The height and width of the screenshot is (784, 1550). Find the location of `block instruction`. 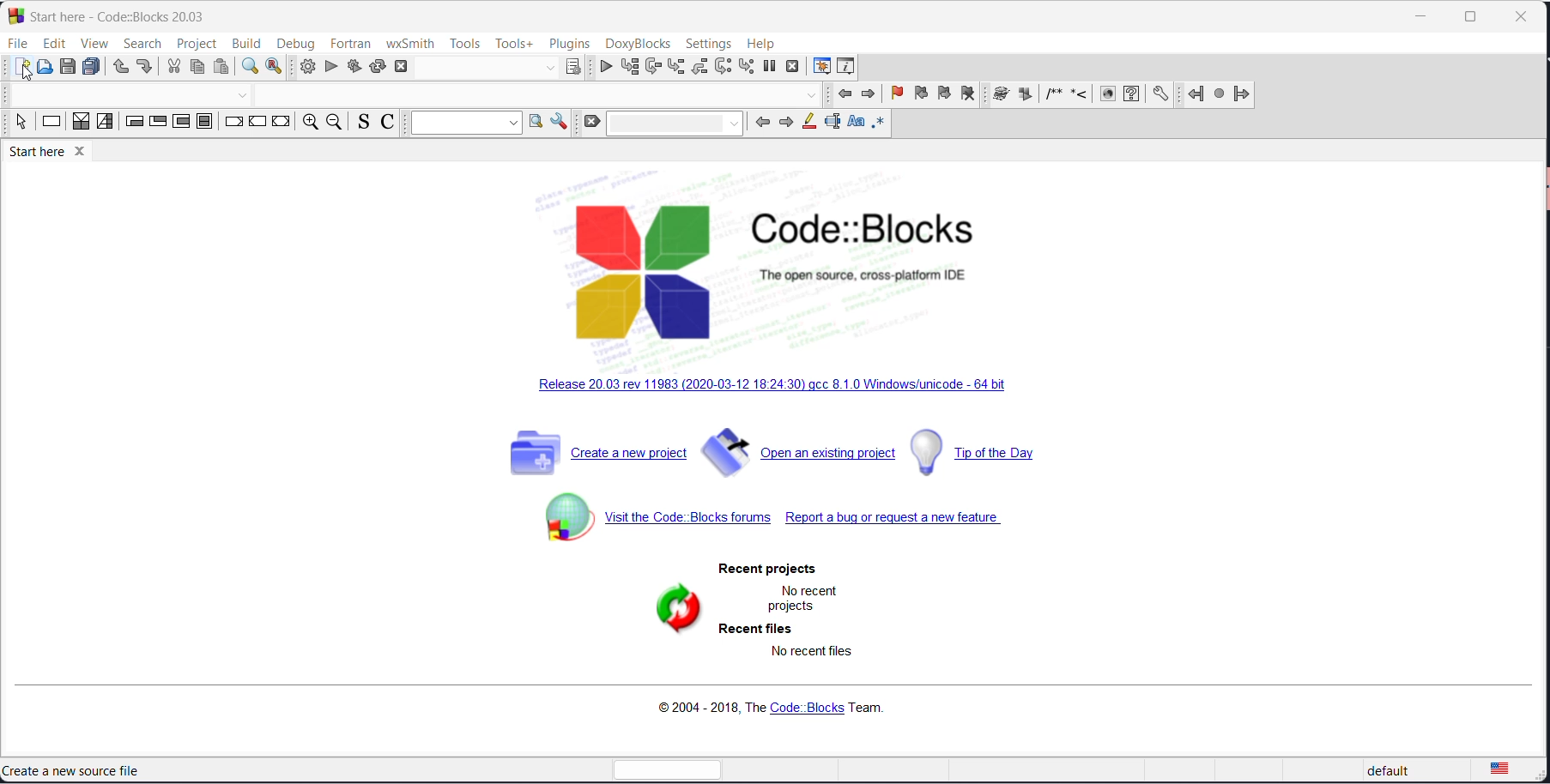

block instruction is located at coordinates (207, 124).